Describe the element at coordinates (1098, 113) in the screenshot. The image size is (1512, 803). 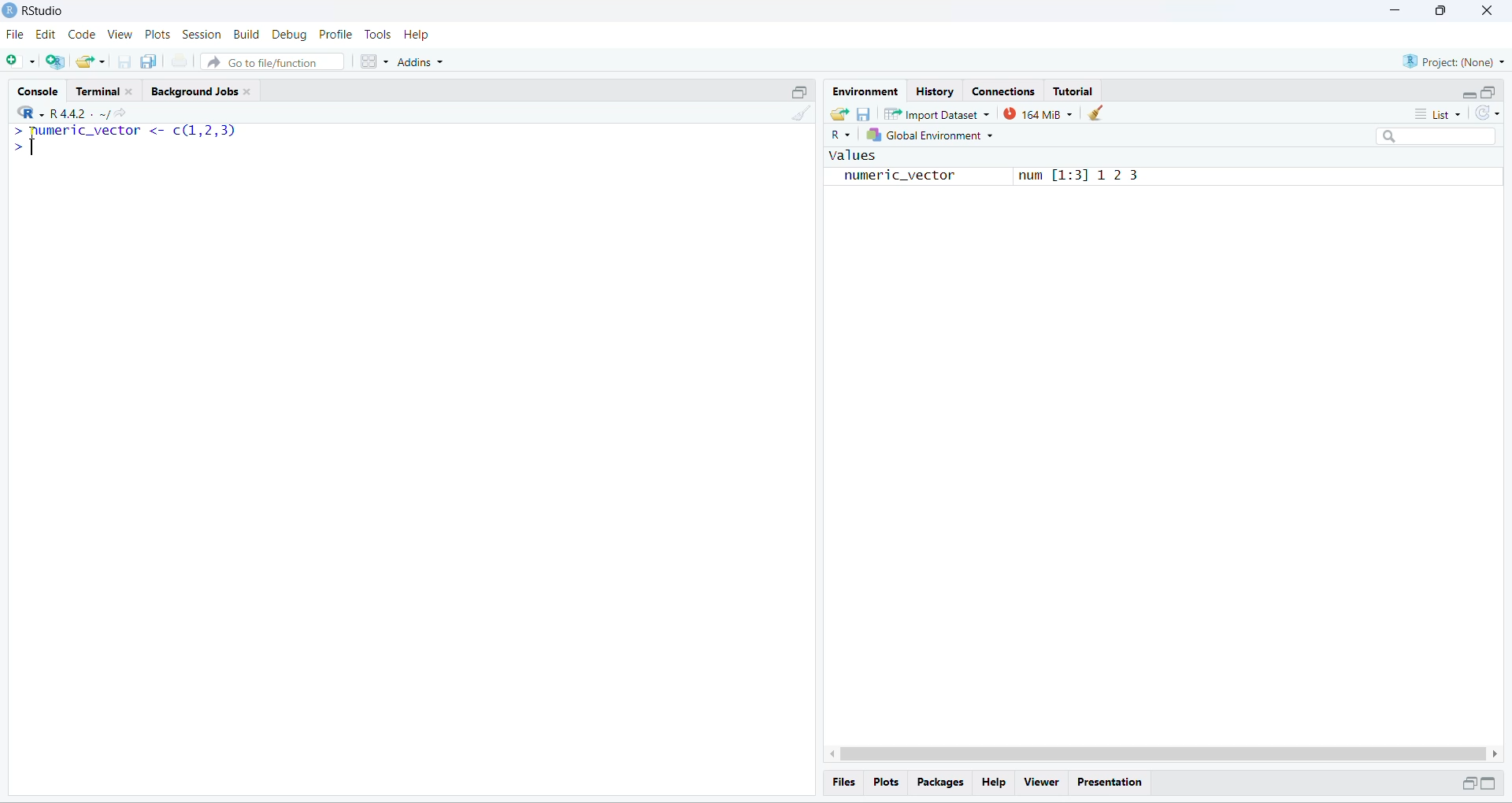
I see `clear` at that location.